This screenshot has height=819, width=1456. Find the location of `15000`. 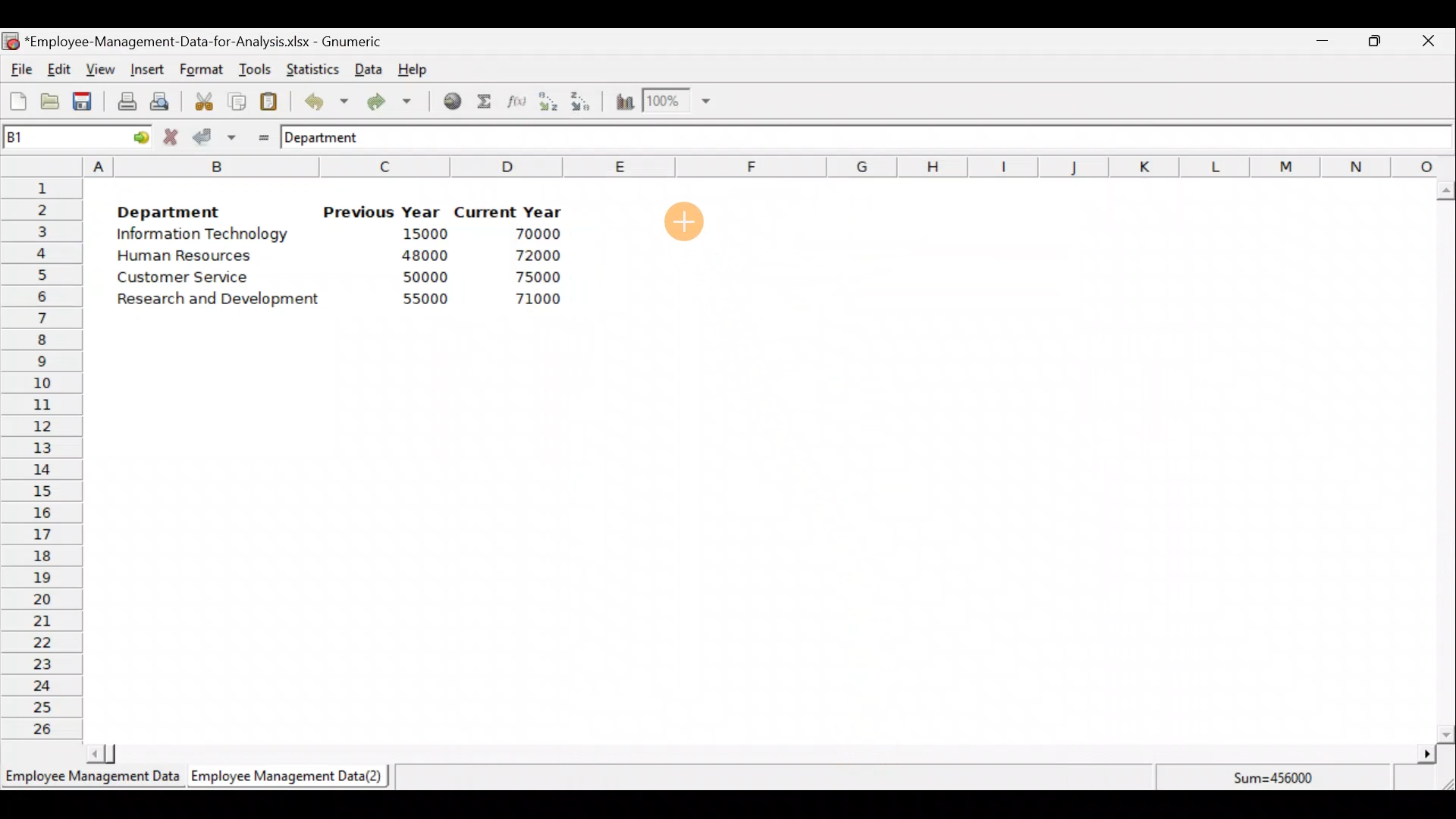

15000 is located at coordinates (419, 233).